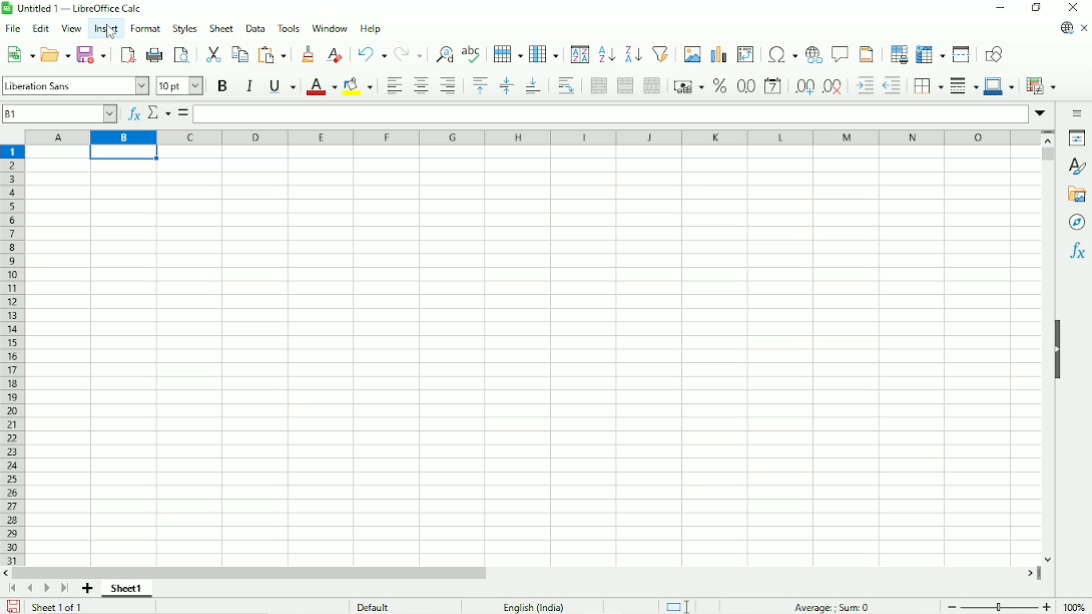 This screenshot has width=1092, height=614. What do you see at coordinates (1040, 85) in the screenshot?
I see `Conditional` at bounding box center [1040, 85].